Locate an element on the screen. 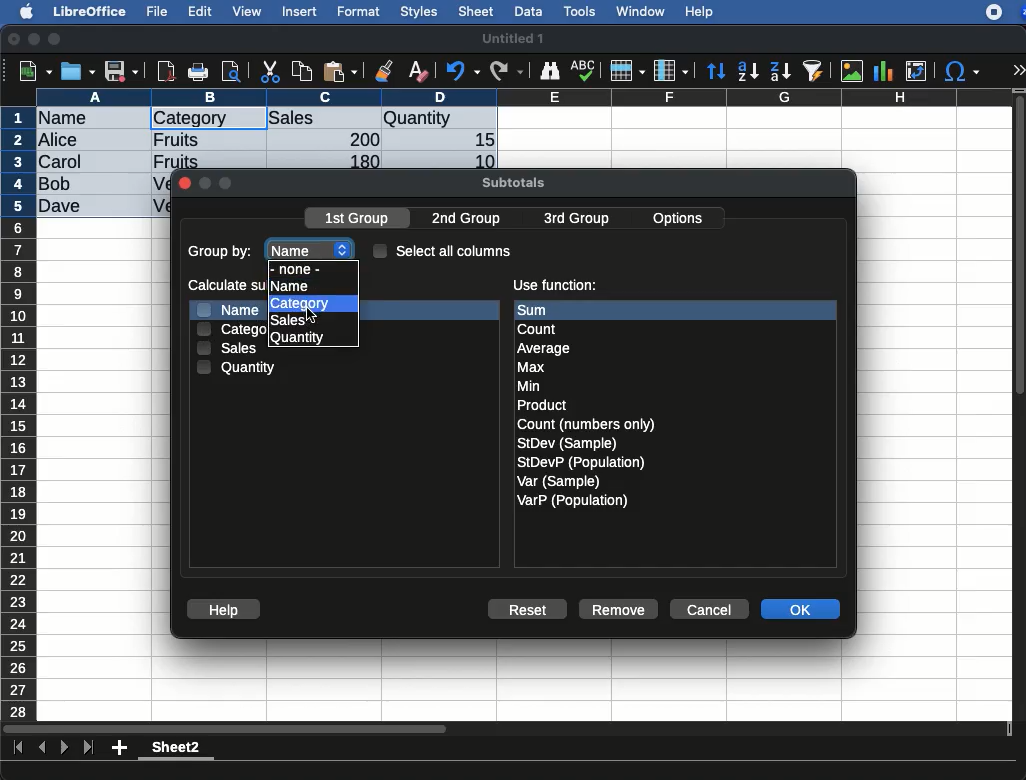 This screenshot has height=780, width=1026. next sheet is located at coordinates (62, 749).